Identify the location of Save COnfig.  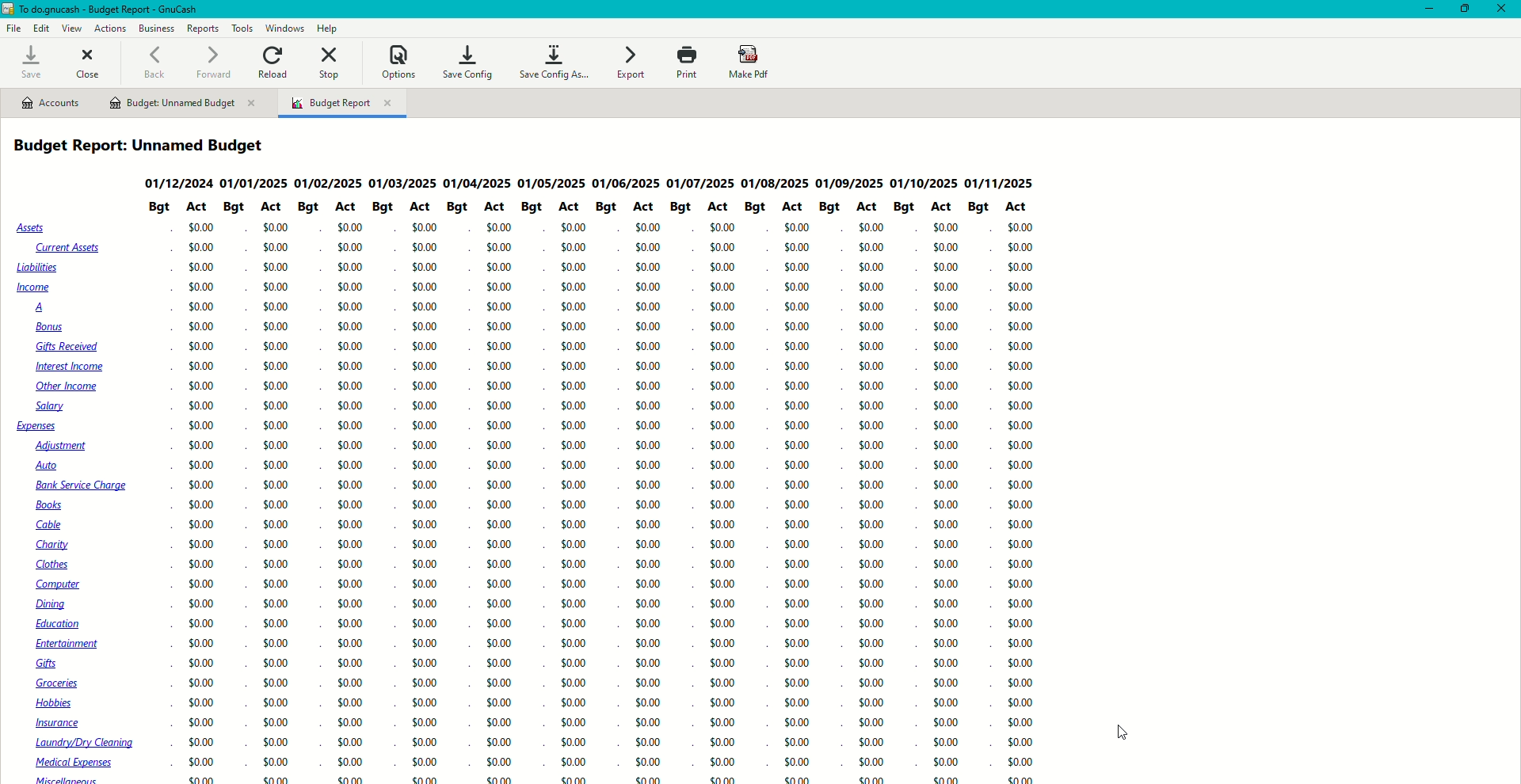
(467, 61).